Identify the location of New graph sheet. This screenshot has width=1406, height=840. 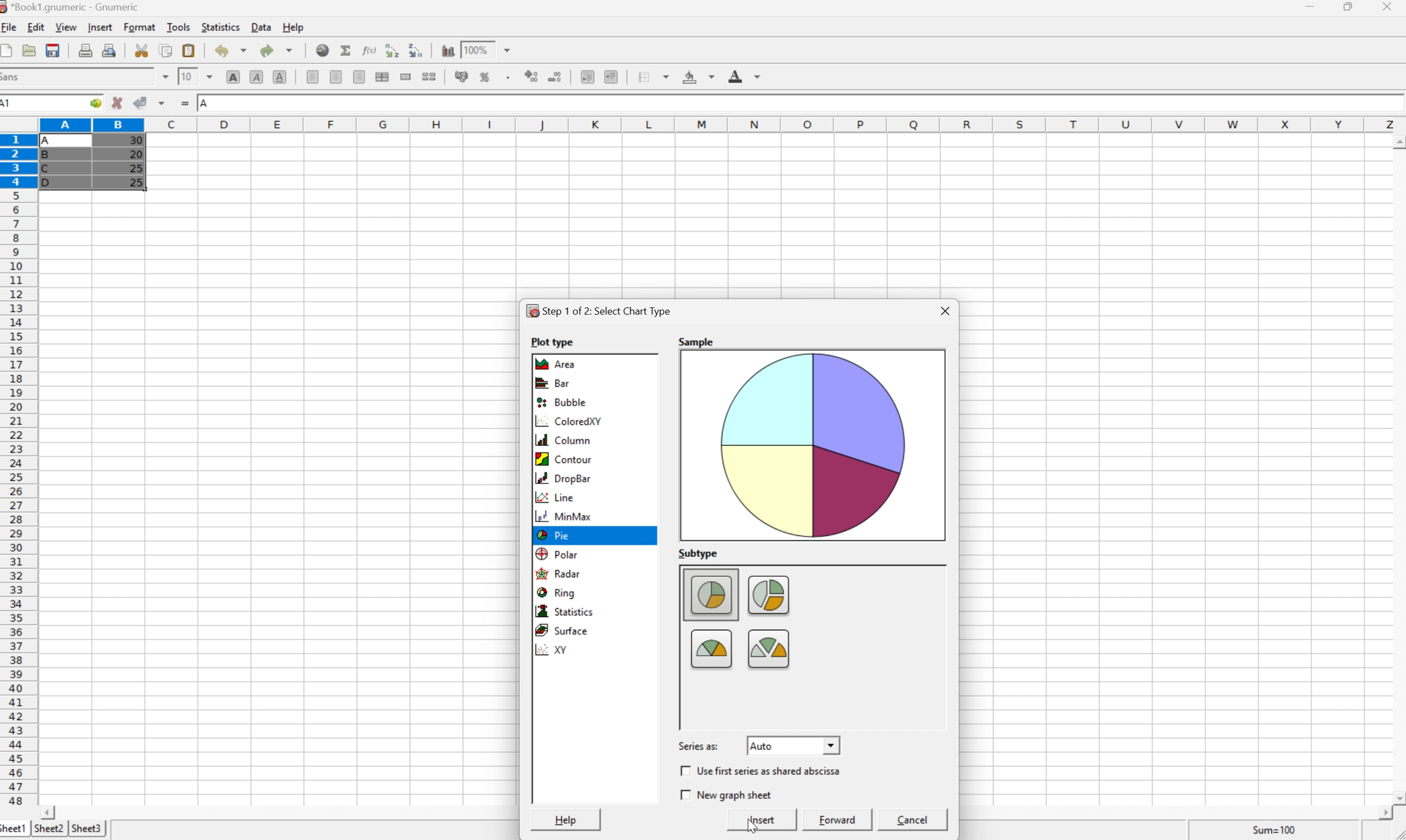
(734, 794).